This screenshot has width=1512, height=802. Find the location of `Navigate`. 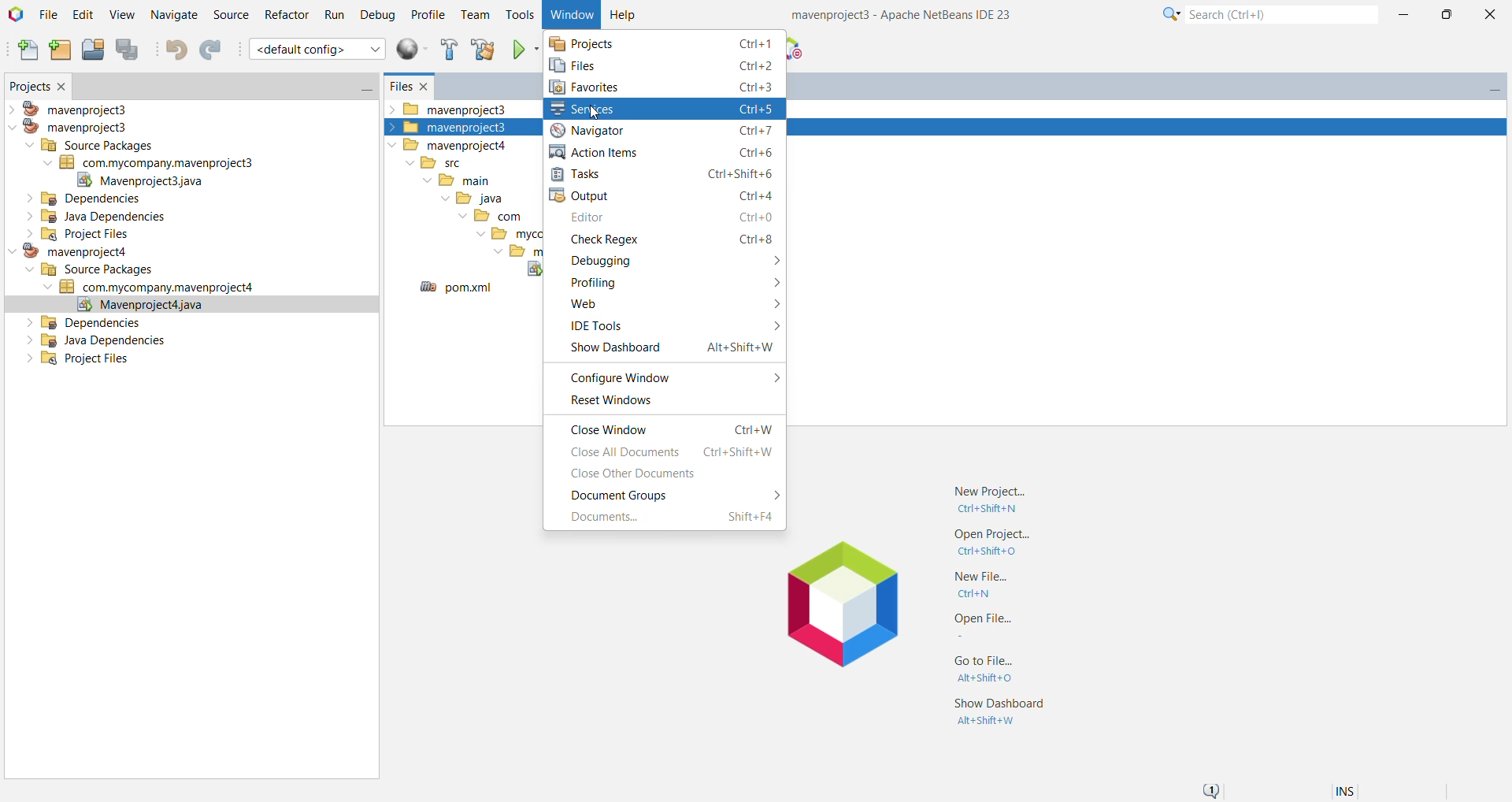

Navigate is located at coordinates (172, 16).